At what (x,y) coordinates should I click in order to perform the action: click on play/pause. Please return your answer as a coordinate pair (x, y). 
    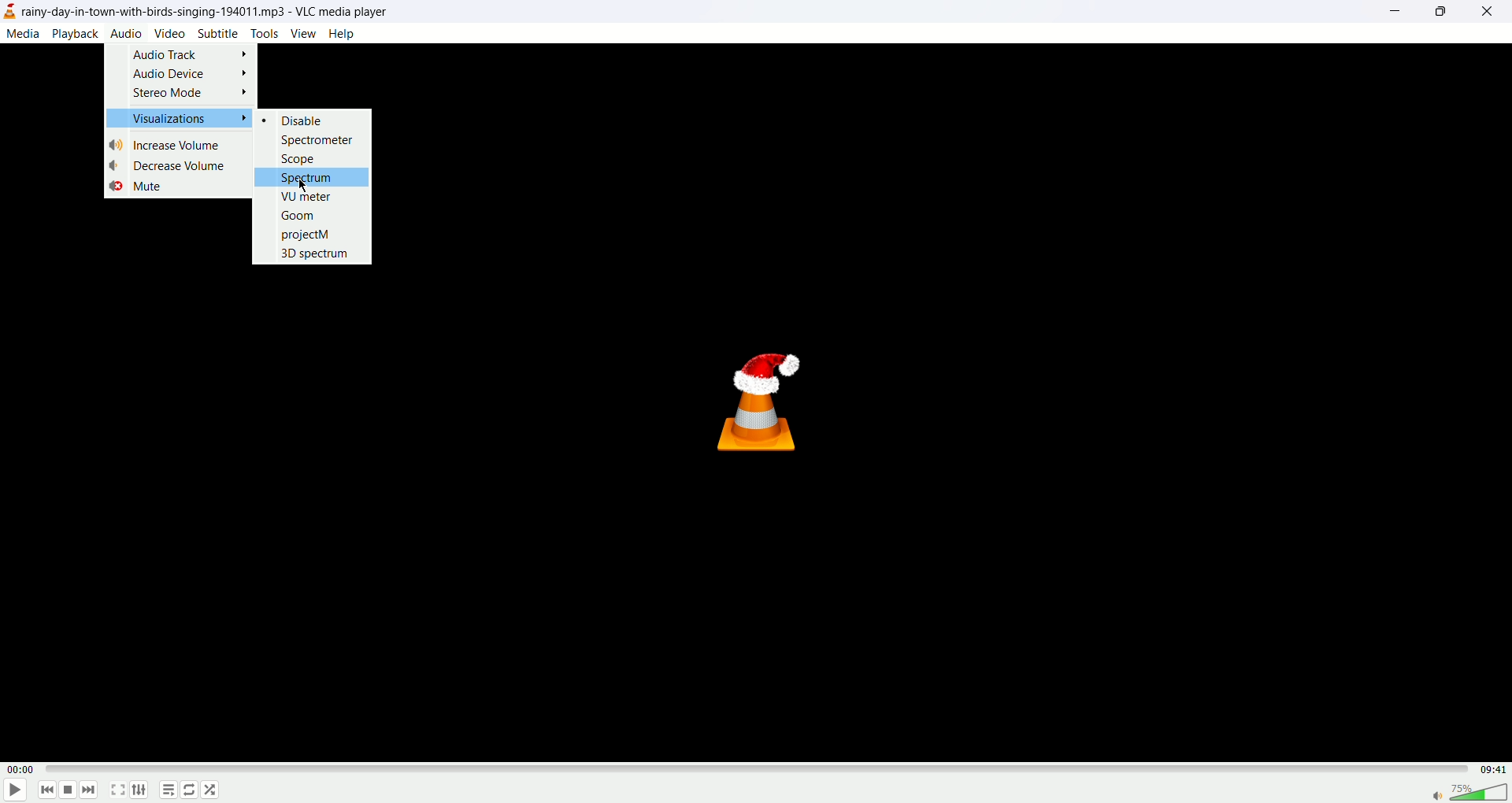
    Looking at the image, I should click on (15, 791).